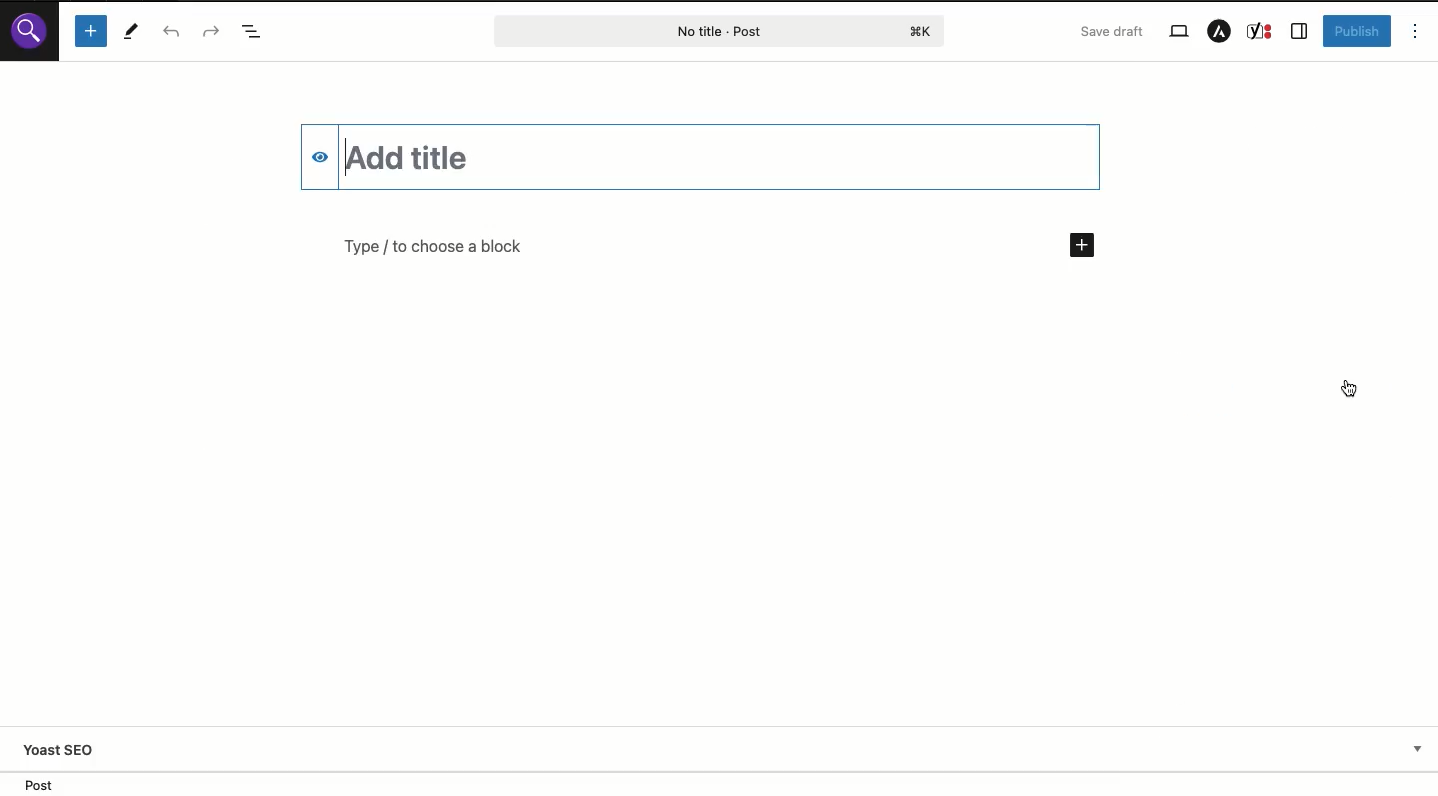 This screenshot has width=1438, height=796. I want to click on WordPress site logo, so click(31, 31).